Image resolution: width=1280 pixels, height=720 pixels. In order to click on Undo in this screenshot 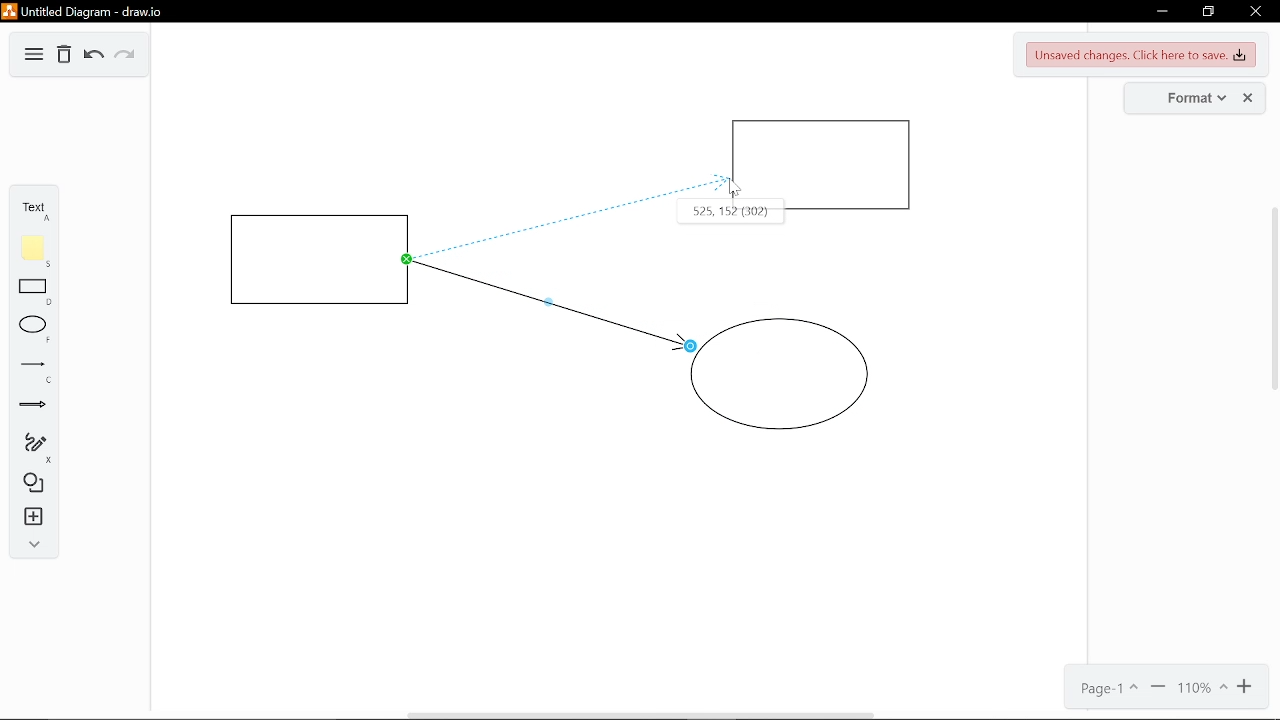, I will do `click(94, 57)`.